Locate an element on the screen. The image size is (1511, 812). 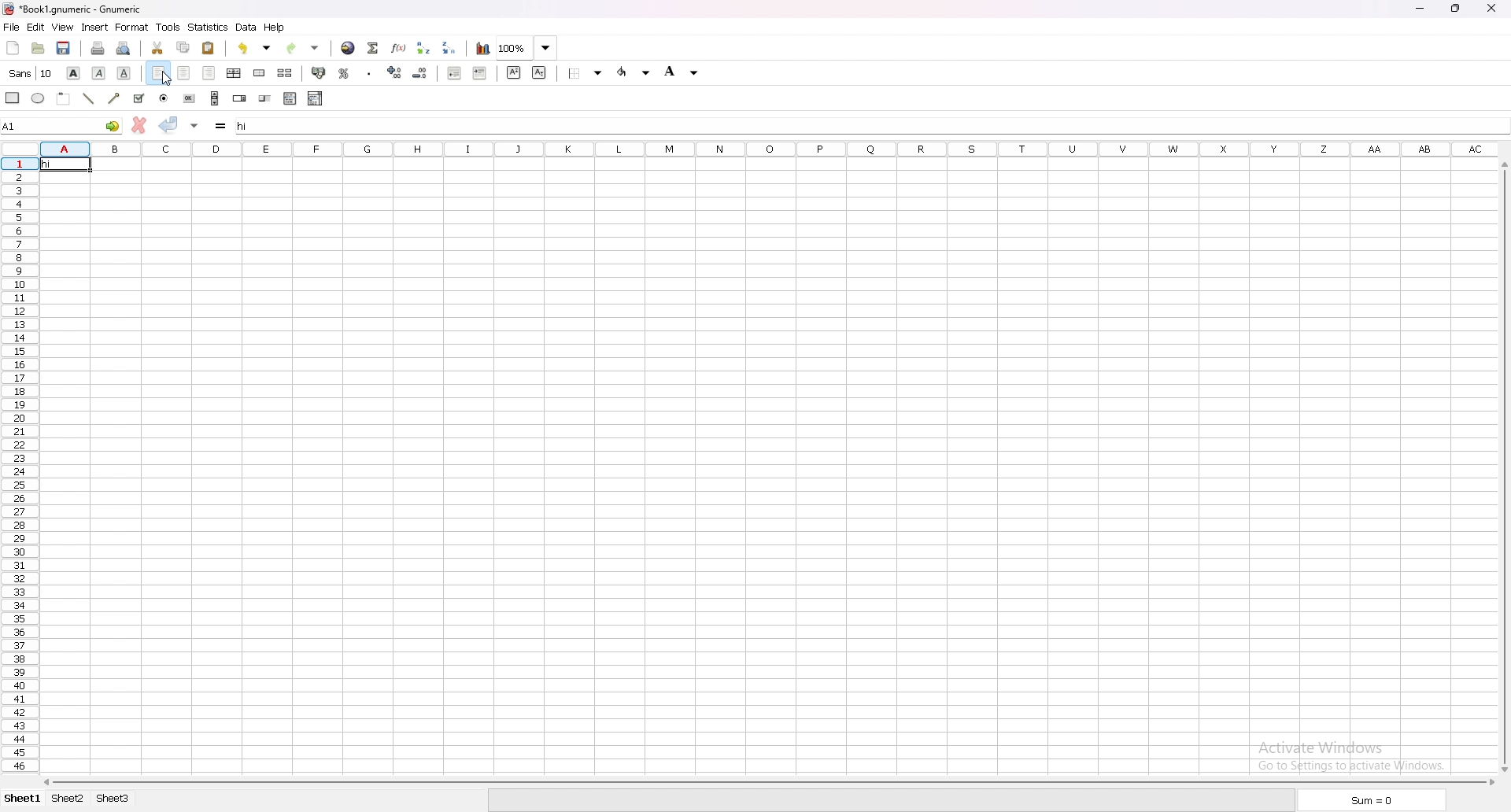
sheet 3 is located at coordinates (113, 799).